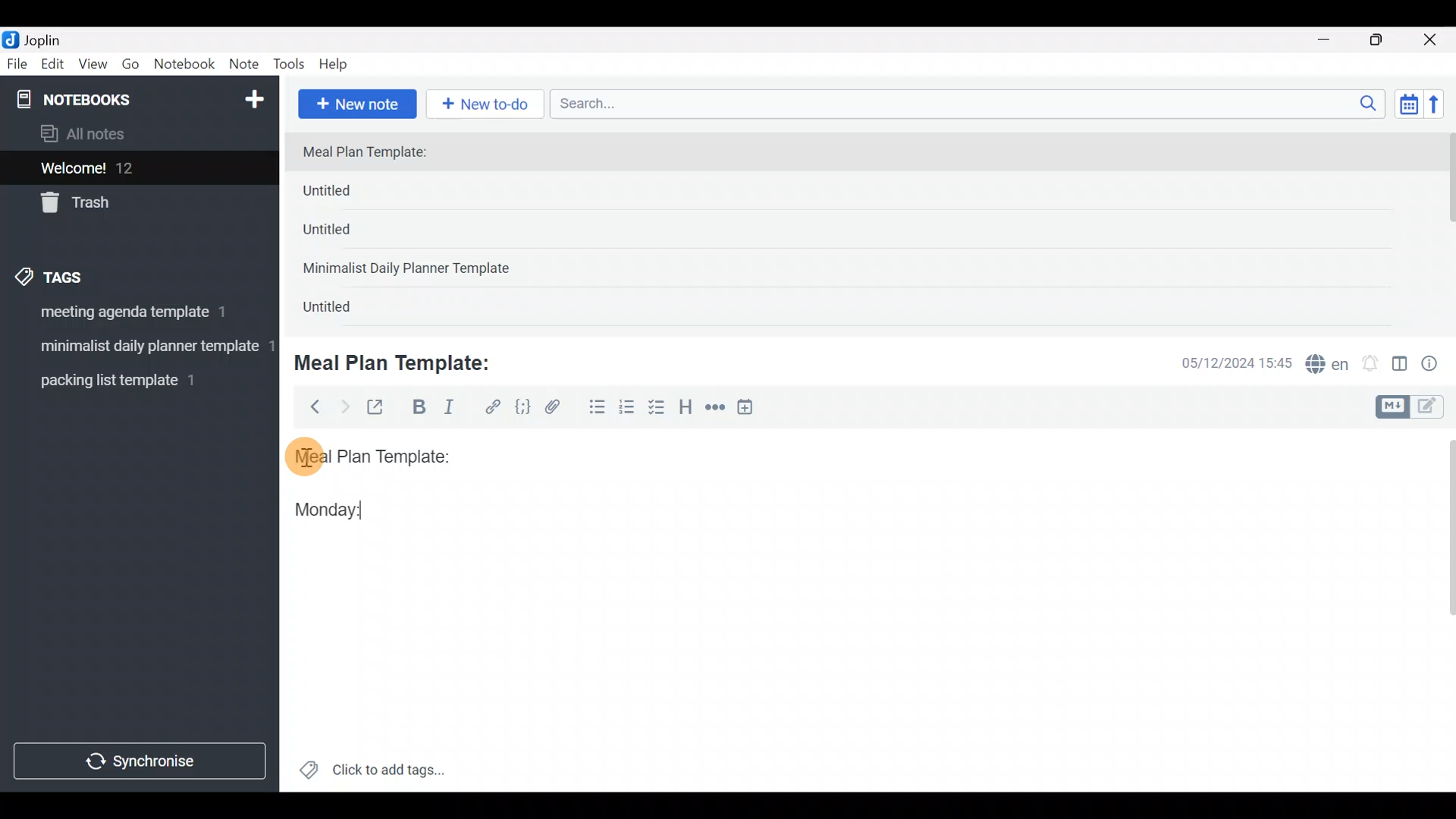 The height and width of the screenshot is (819, 1456). Describe the element at coordinates (686, 409) in the screenshot. I see `Heading` at that location.